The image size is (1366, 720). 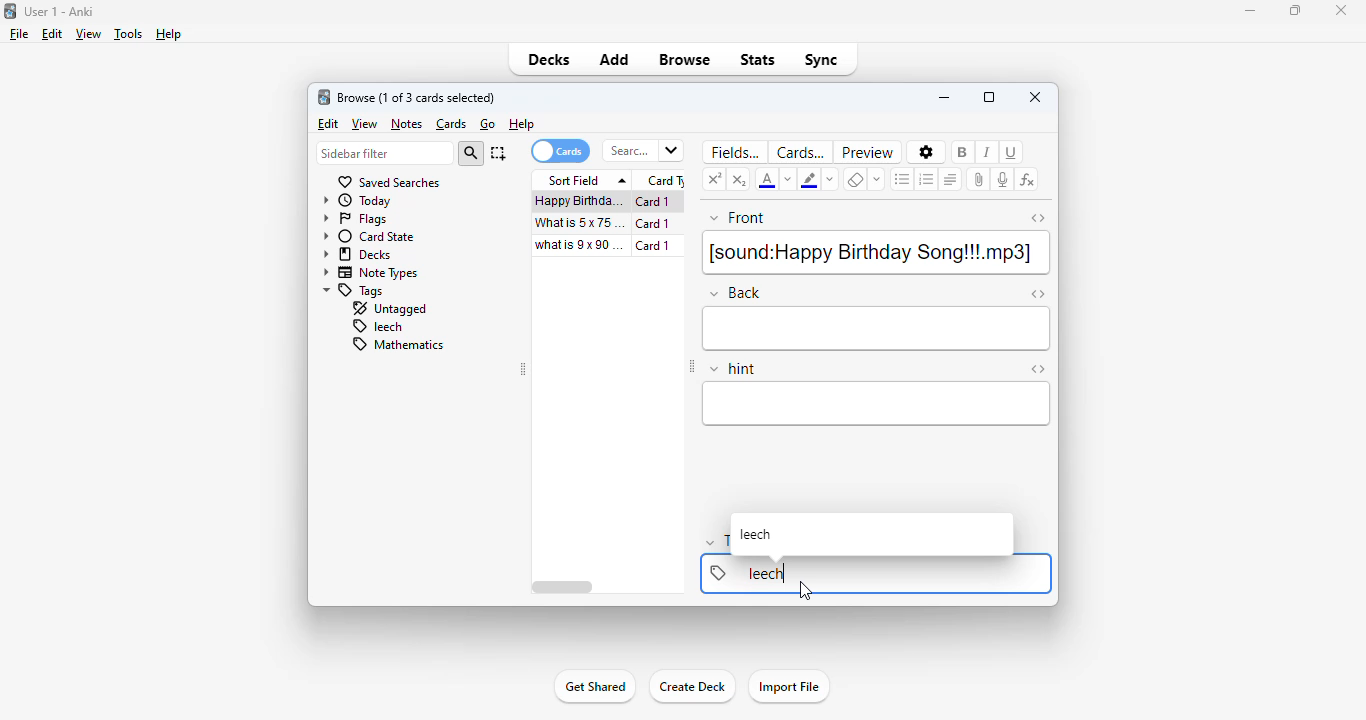 What do you see at coordinates (855, 179) in the screenshot?
I see `remove formatting` at bounding box center [855, 179].